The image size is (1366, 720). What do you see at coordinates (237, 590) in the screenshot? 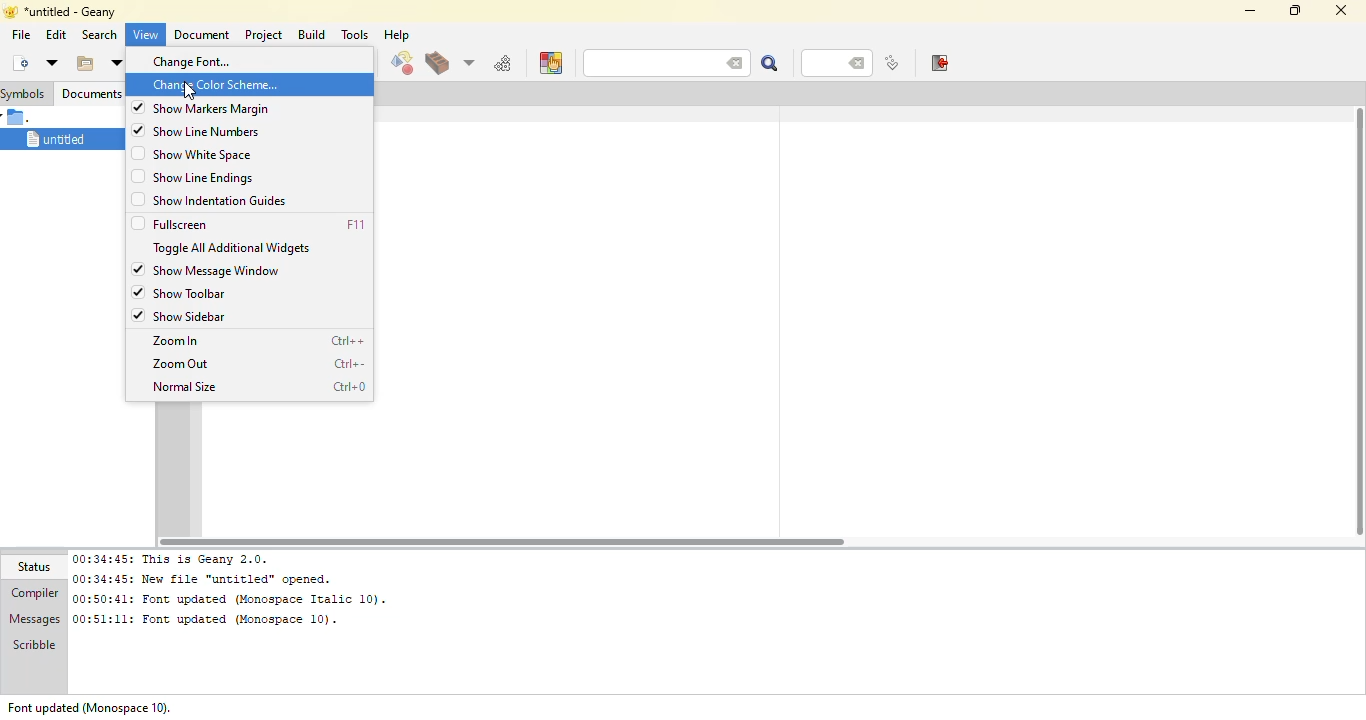
I see `00:34:45: This is Geany 2.0.00:34:45: New file “untitled” opened.00:50:41: Font updated (Monospace Italic 10). 00:51:11: Font updated (Monospace 10).` at bounding box center [237, 590].